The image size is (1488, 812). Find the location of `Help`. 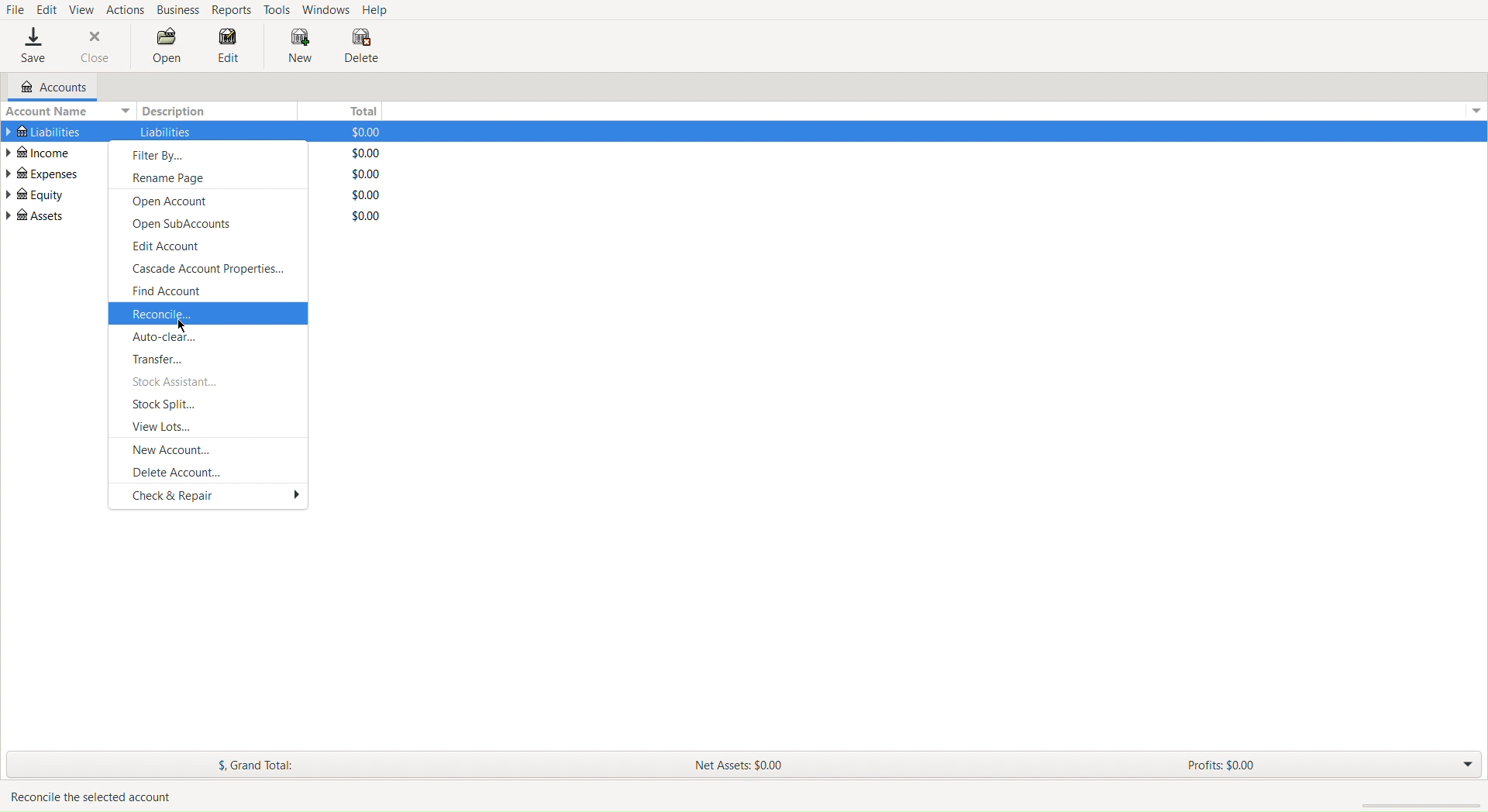

Help is located at coordinates (382, 10).